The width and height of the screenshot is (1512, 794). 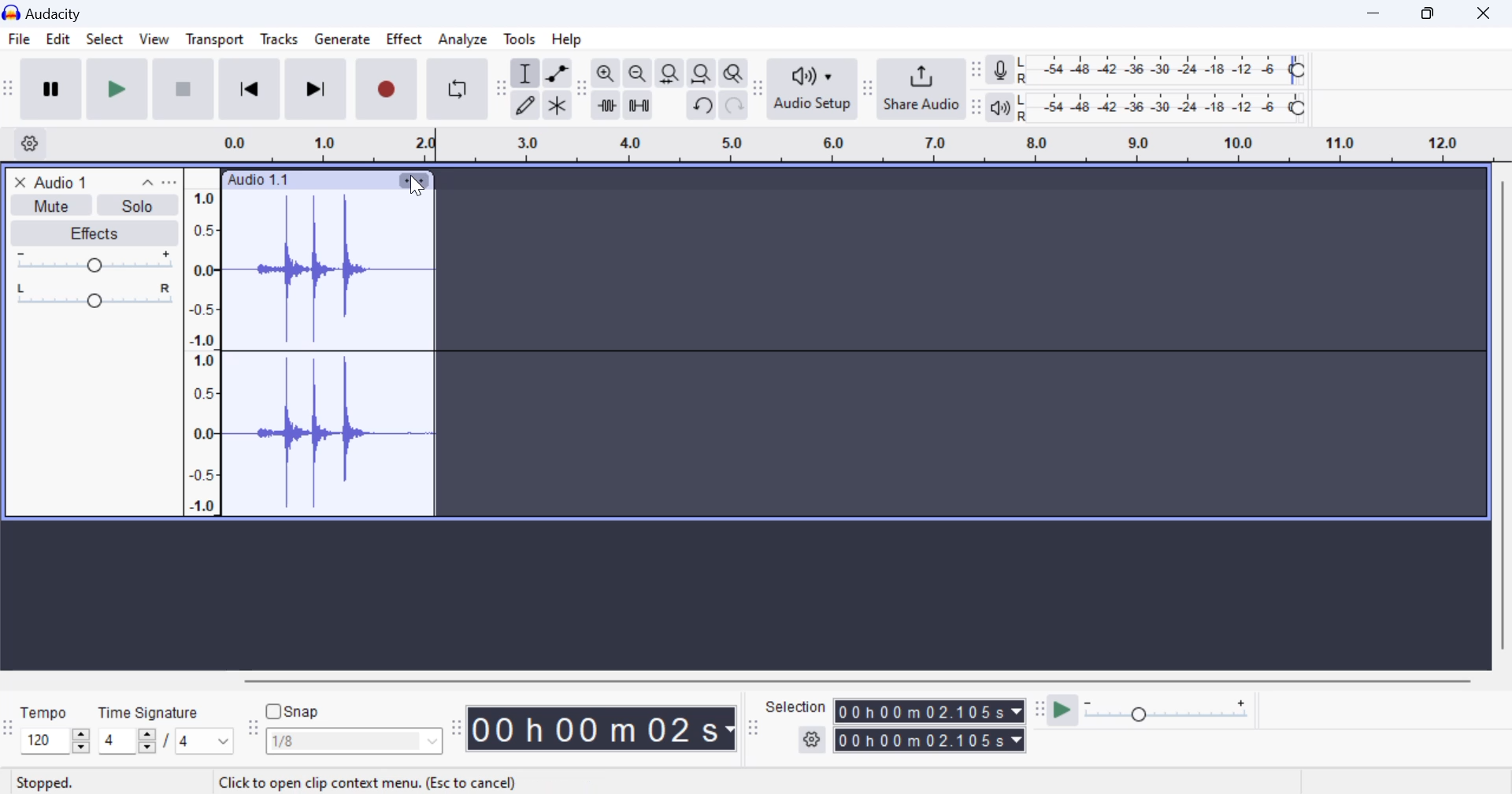 What do you see at coordinates (521, 38) in the screenshot?
I see `Tools` at bounding box center [521, 38].